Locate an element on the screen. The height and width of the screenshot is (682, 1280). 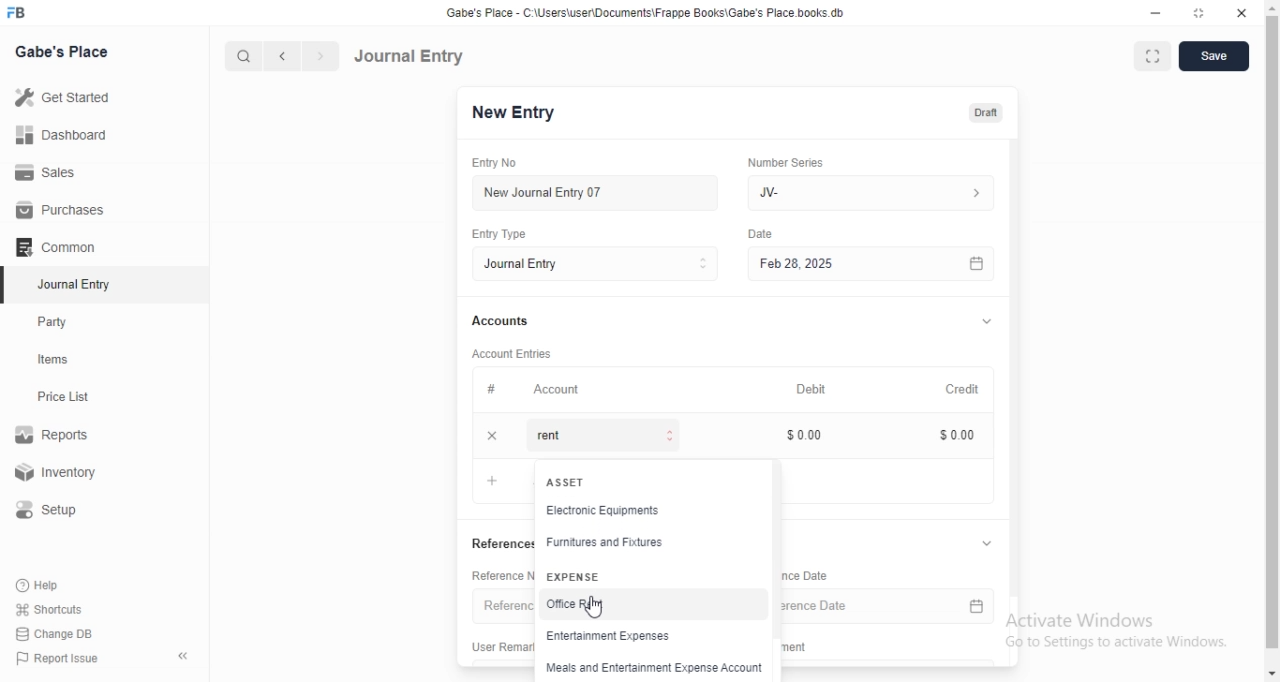
Gabe's Place is located at coordinates (64, 51).